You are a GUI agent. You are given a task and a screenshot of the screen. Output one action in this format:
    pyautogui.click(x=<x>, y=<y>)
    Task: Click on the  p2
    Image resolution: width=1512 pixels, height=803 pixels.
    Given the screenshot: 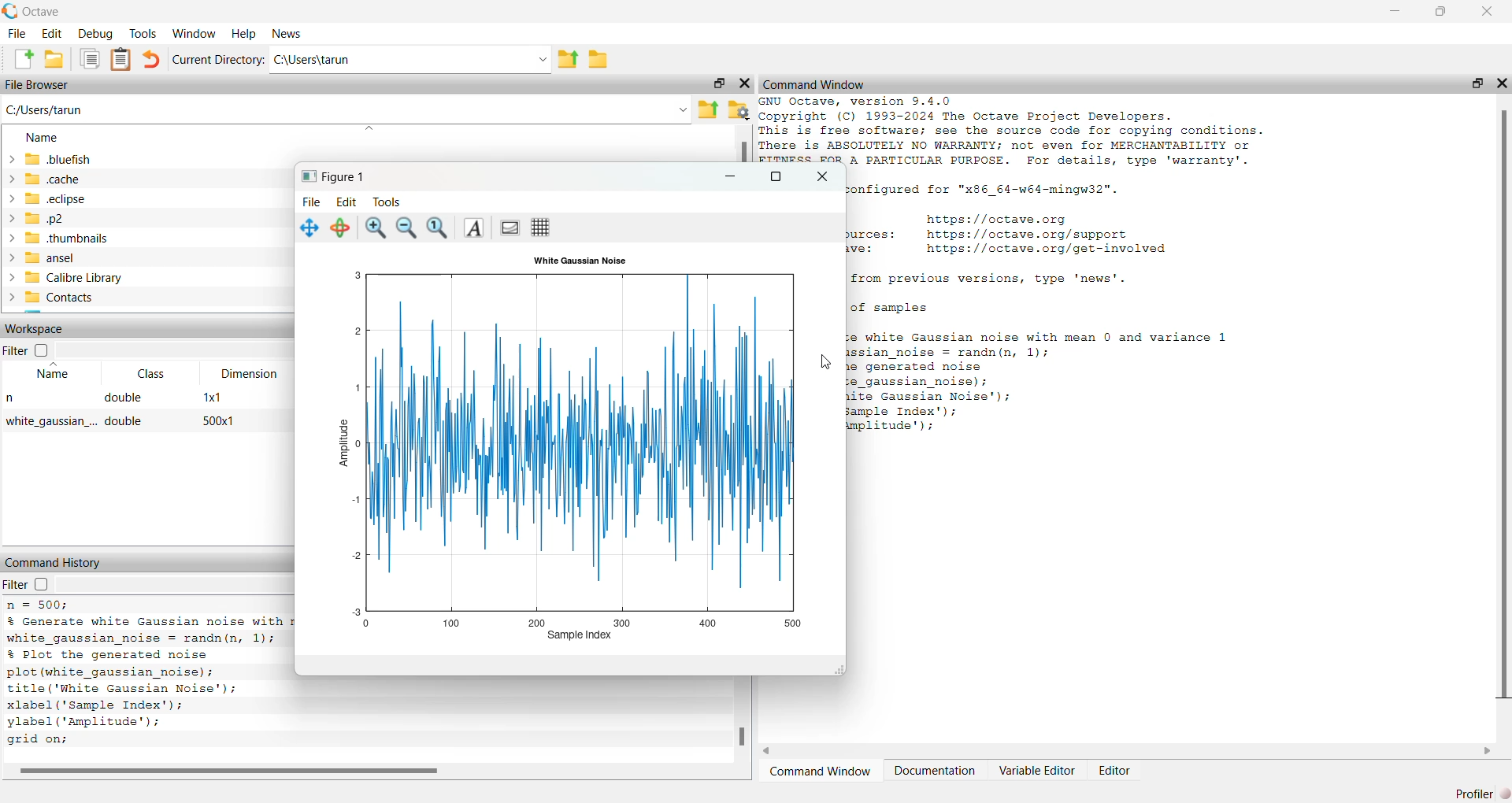 What is the action you would take?
    pyautogui.click(x=46, y=220)
    